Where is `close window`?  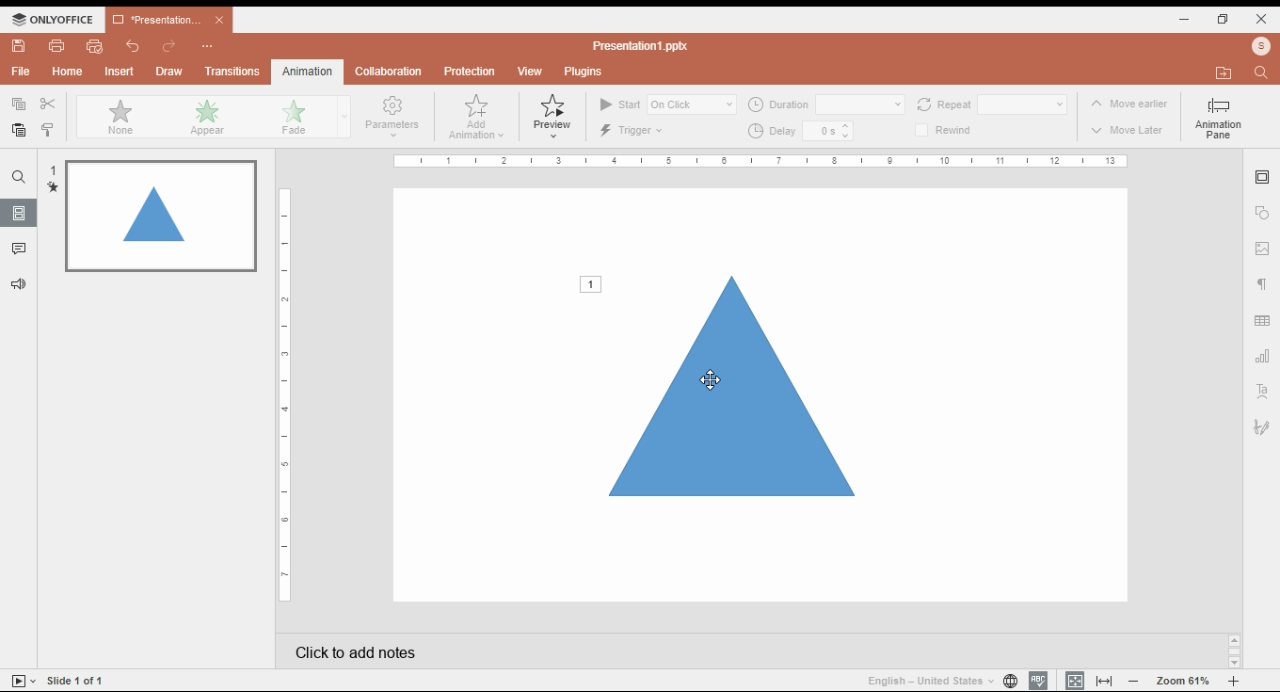
close window is located at coordinates (1260, 20).